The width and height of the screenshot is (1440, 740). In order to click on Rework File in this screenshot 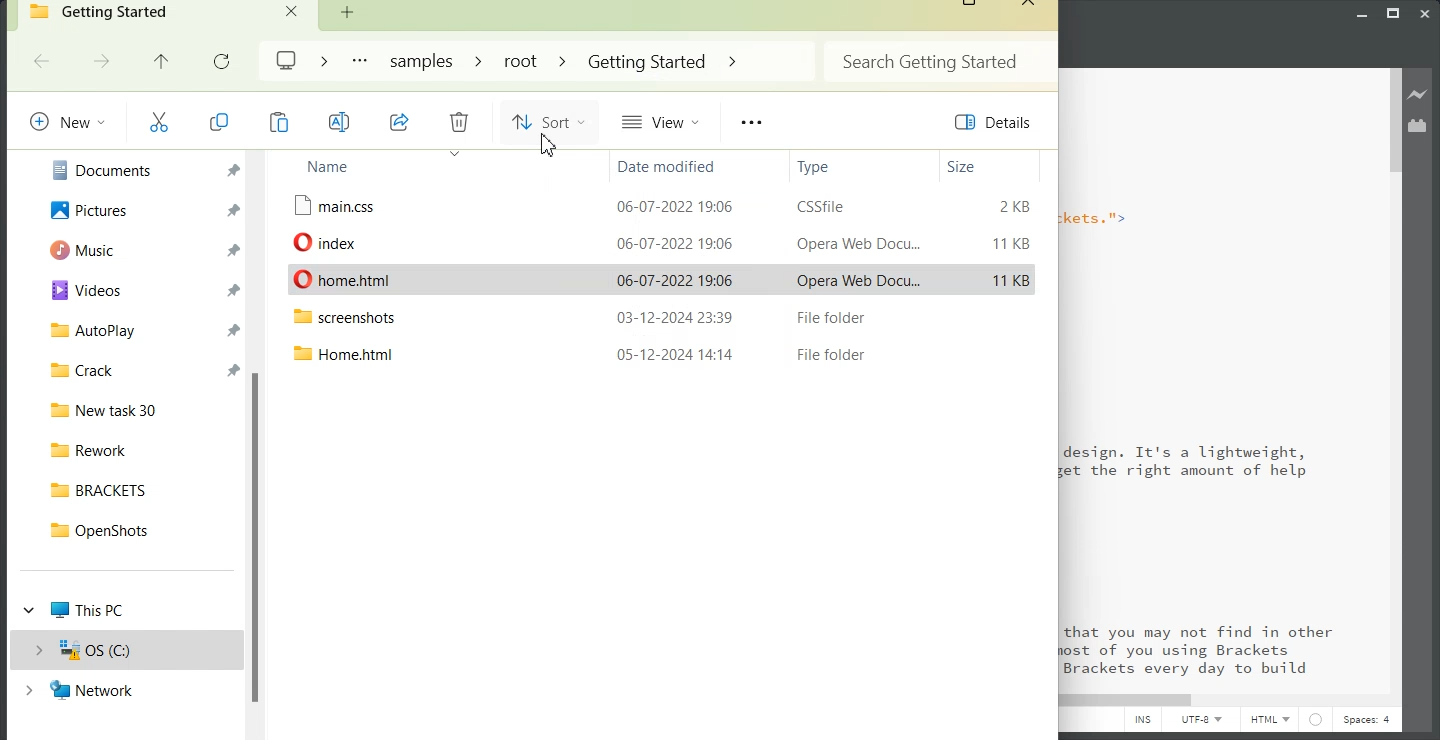, I will do `click(138, 450)`.